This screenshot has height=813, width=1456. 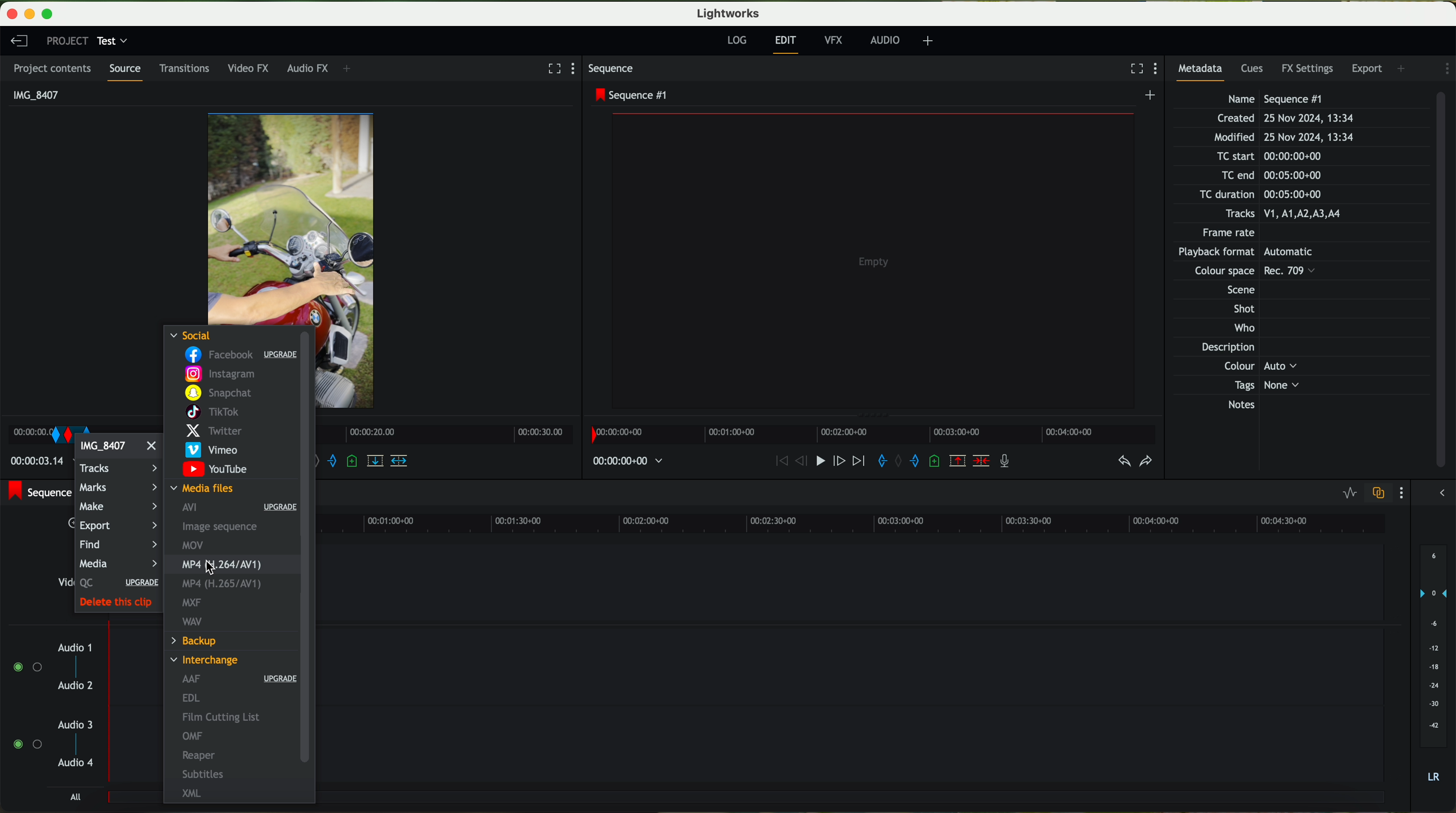 I want to click on sequence #1, so click(x=38, y=494).